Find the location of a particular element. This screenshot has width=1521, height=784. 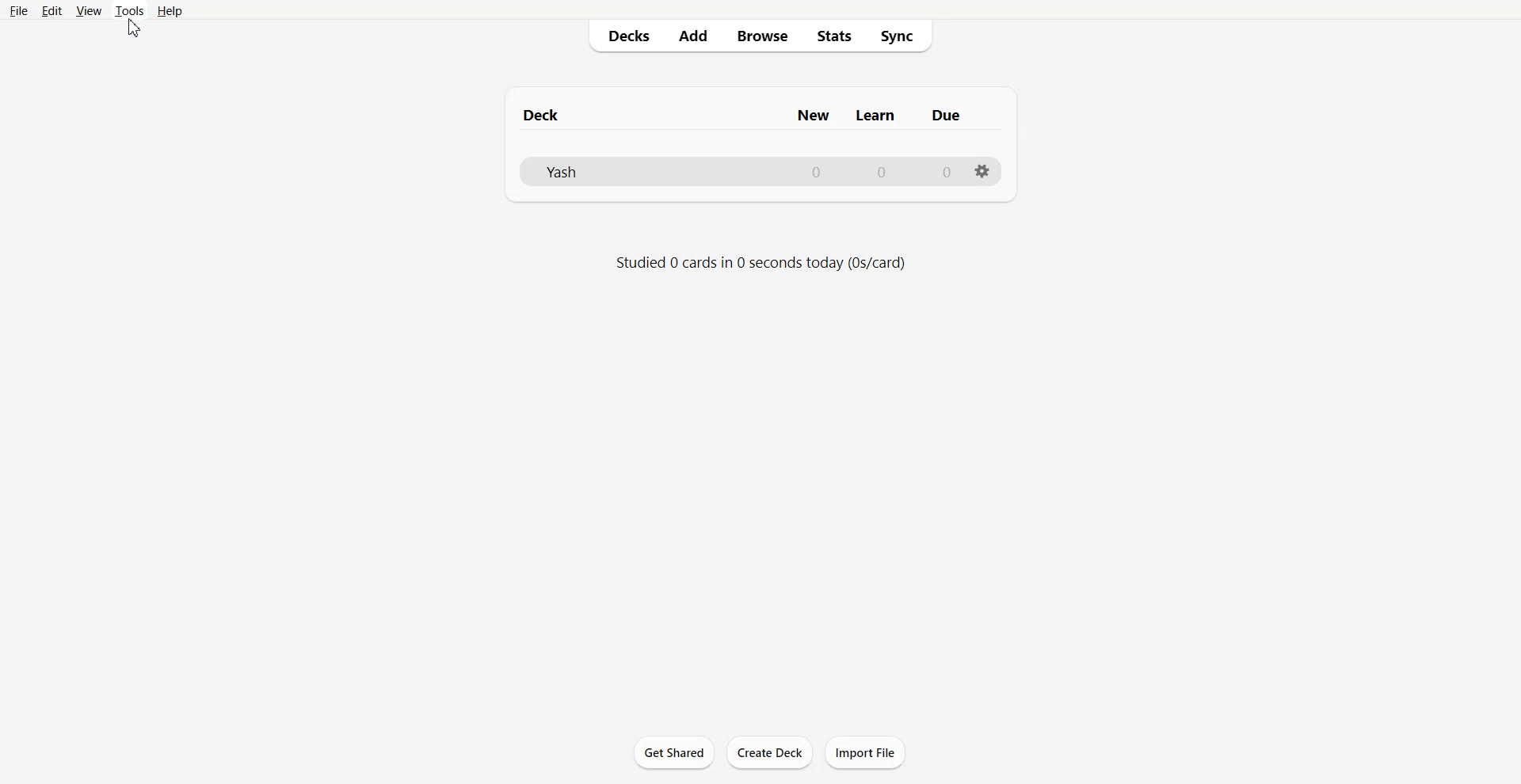

Decks is located at coordinates (623, 36).